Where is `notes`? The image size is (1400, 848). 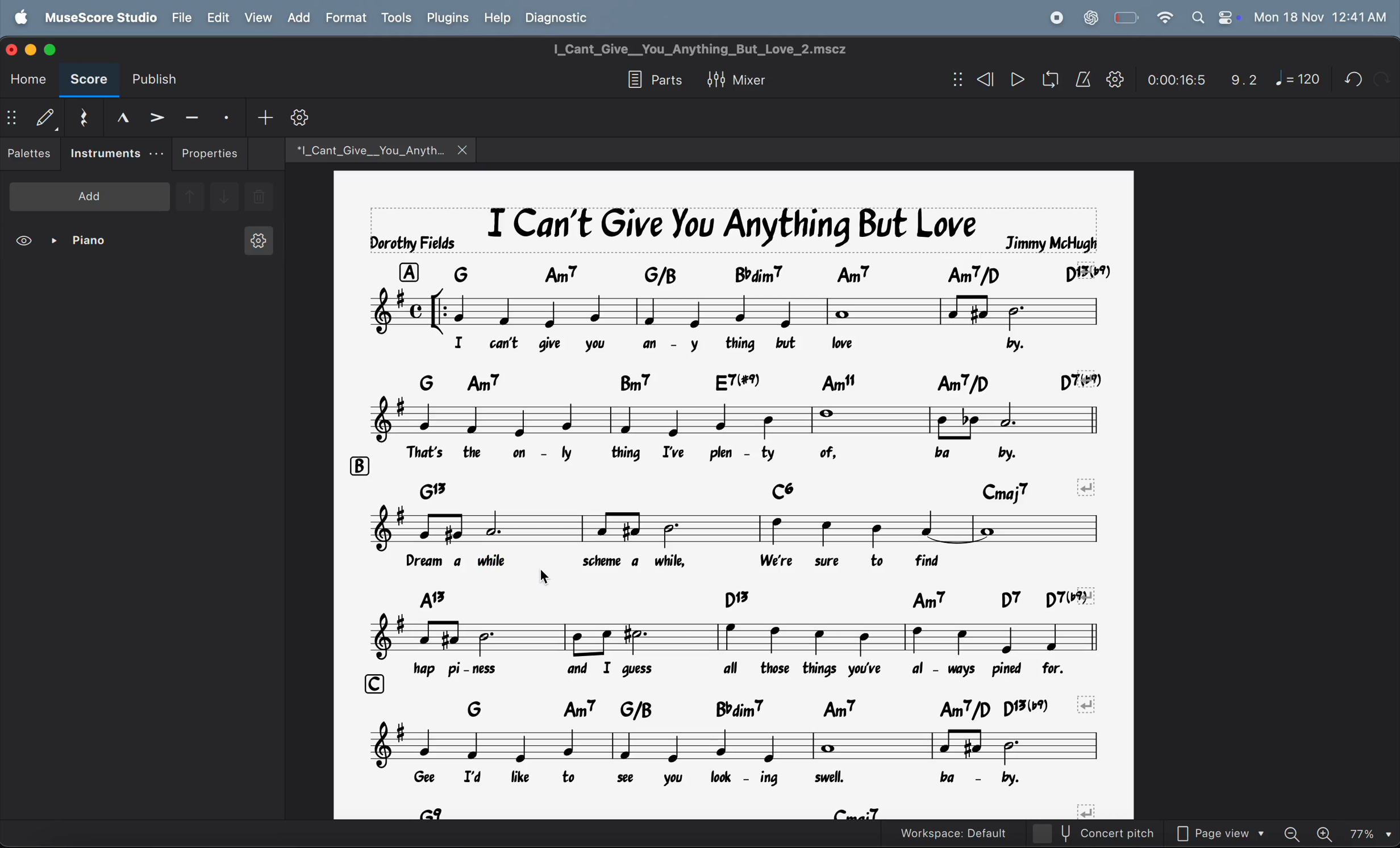
notes is located at coordinates (742, 638).